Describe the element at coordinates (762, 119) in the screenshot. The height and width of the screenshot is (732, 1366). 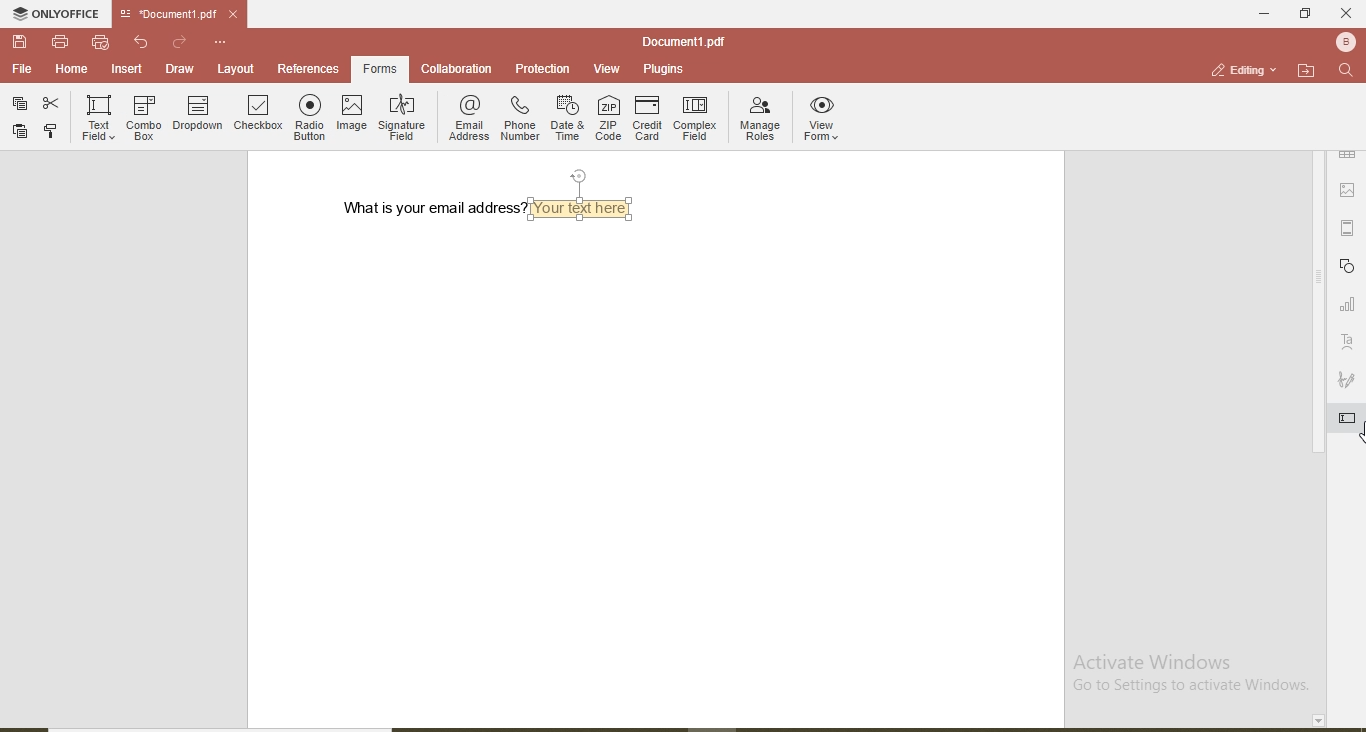
I see `manage roles` at that location.